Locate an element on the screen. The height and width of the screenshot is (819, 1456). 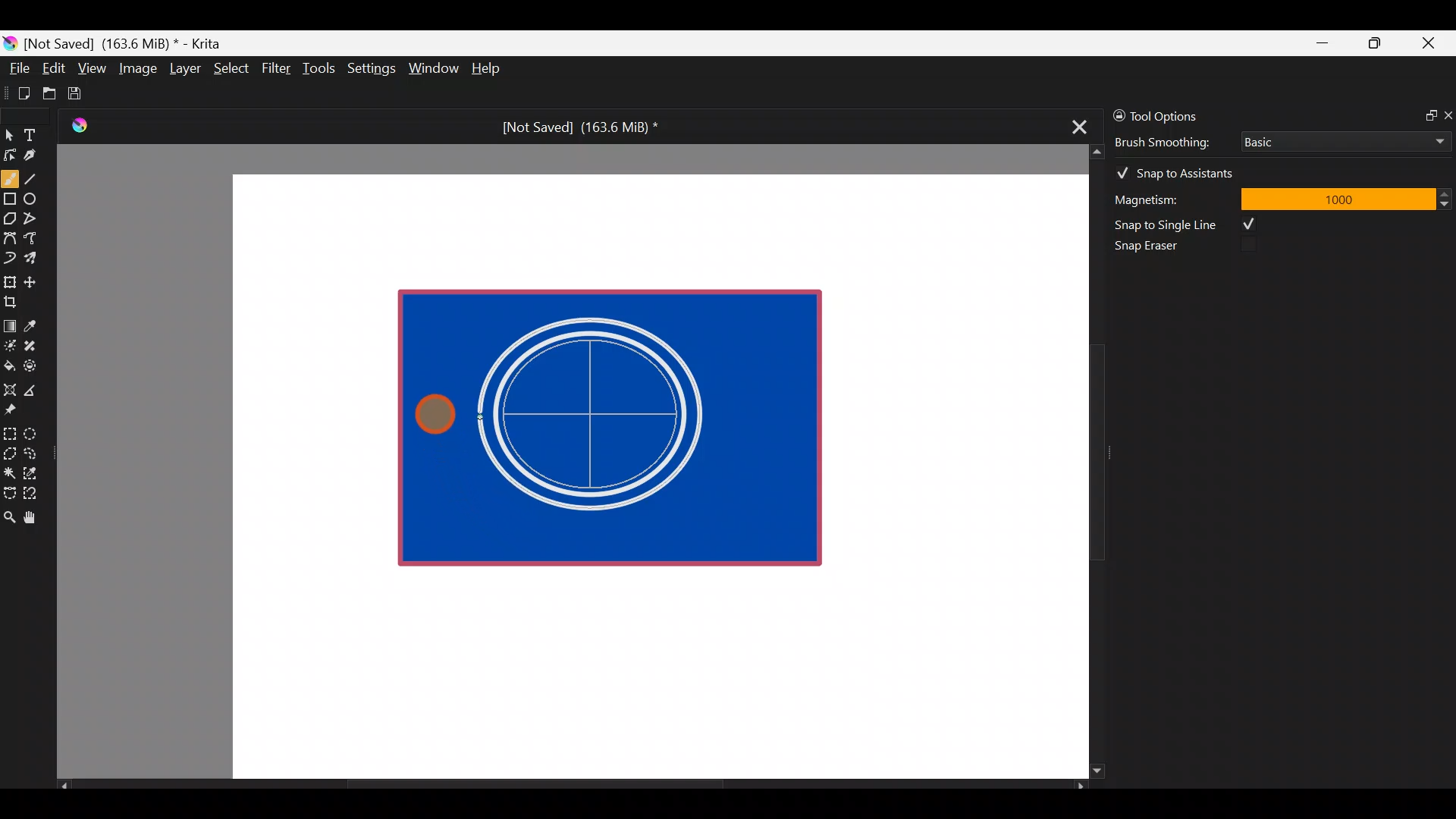
[Not Saved] (163.6 MiB) * is located at coordinates (574, 127).